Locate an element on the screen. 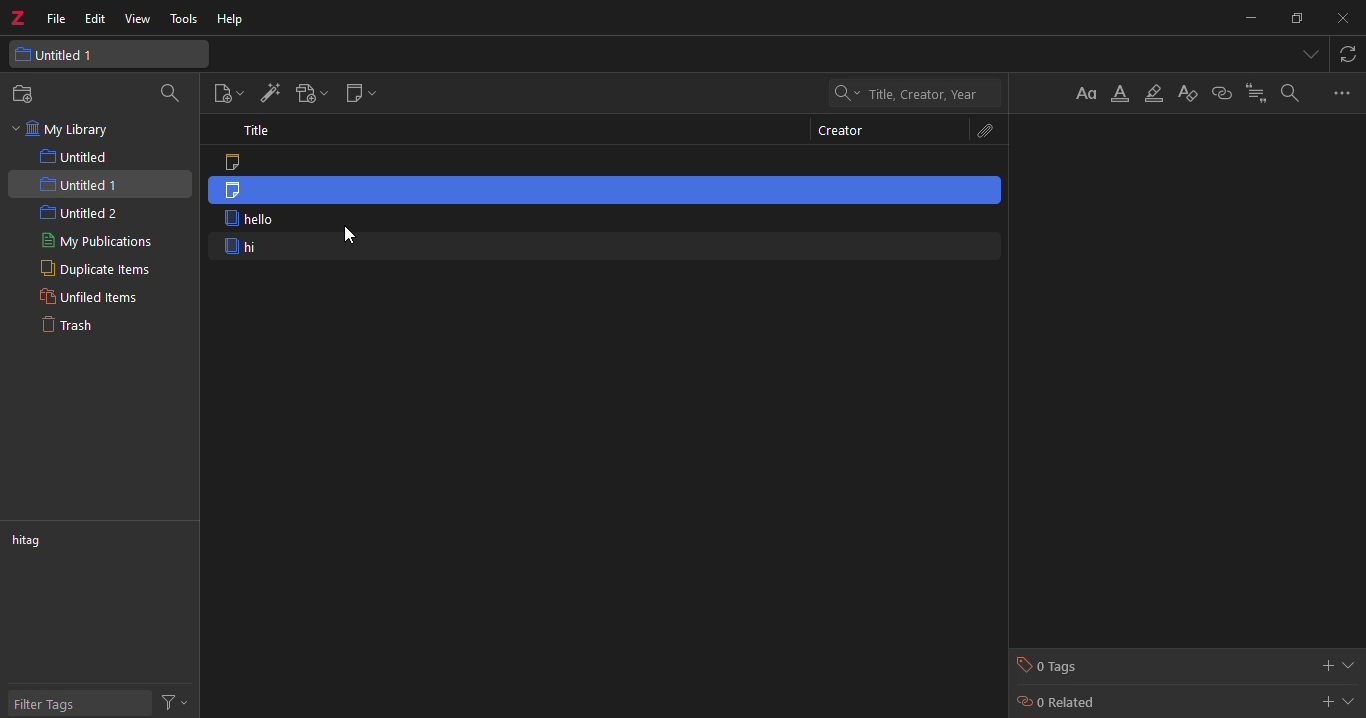 This screenshot has height=718, width=1366. 0 tags is located at coordinates (1060, 663).